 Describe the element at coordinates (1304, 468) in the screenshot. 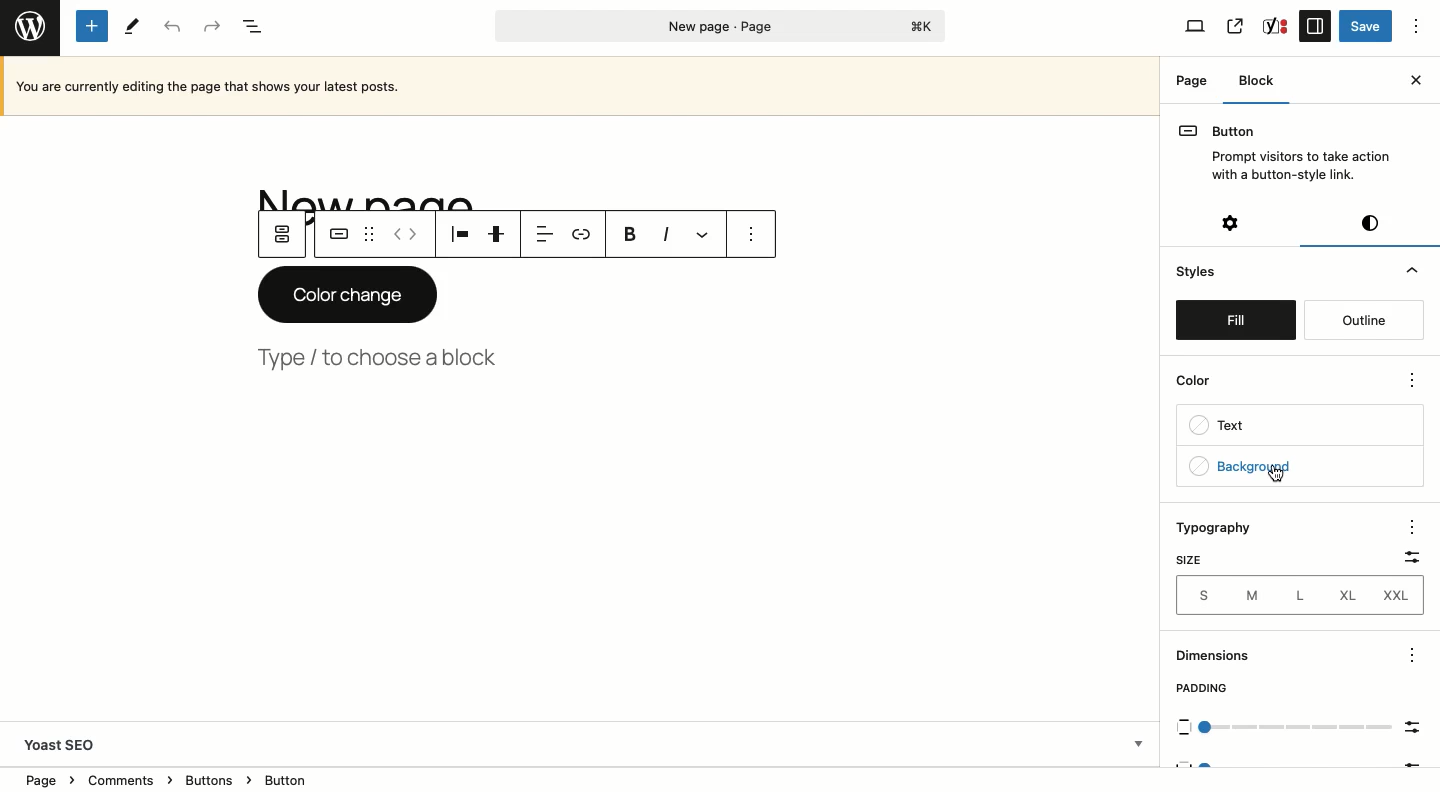

I see `Background` at that location.